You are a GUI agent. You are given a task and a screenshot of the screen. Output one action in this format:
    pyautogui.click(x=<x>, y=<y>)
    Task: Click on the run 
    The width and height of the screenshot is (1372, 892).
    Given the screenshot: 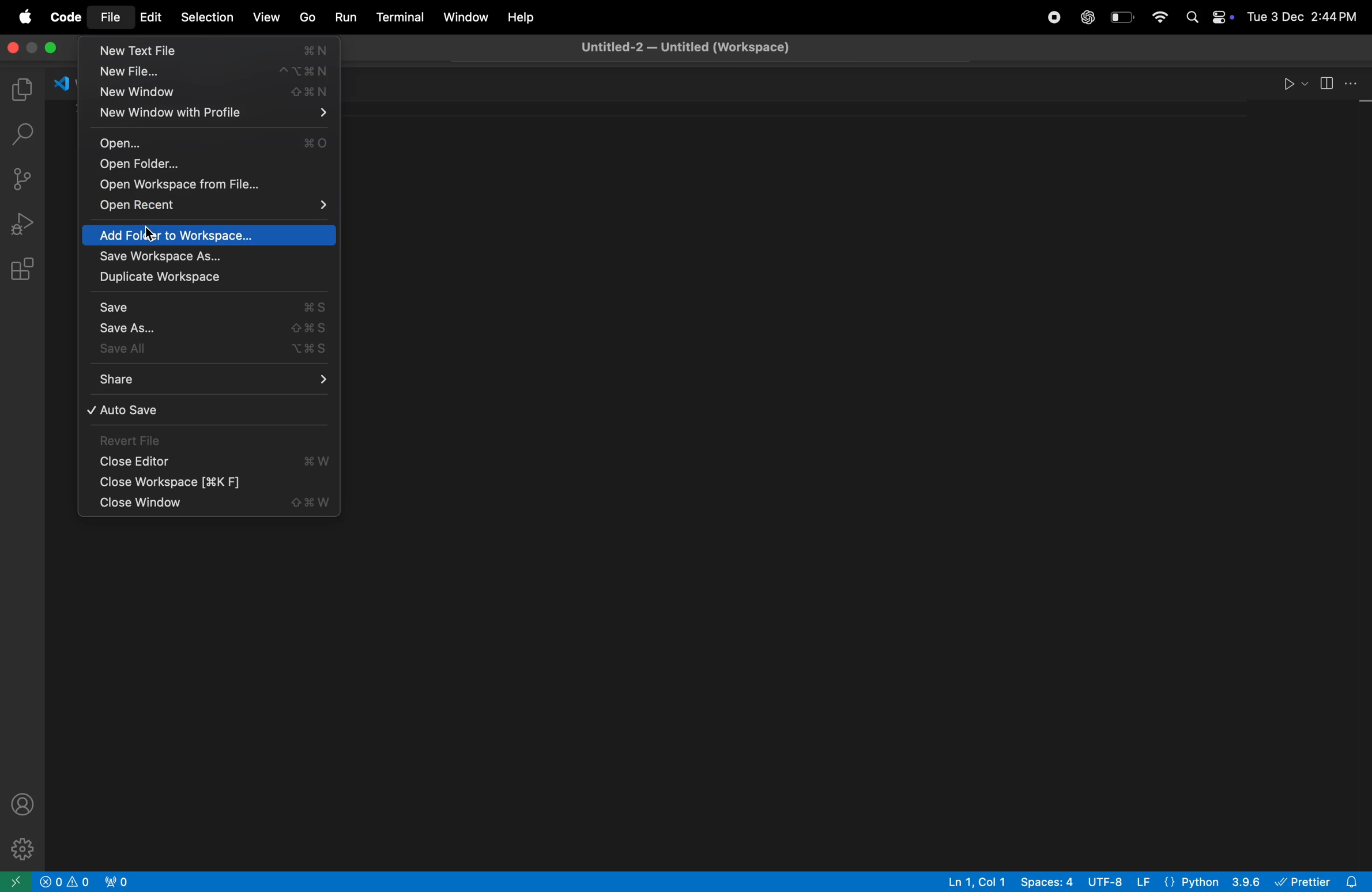 What is the action you would take?
    pyautogui.click(x=1290, y=82)
    